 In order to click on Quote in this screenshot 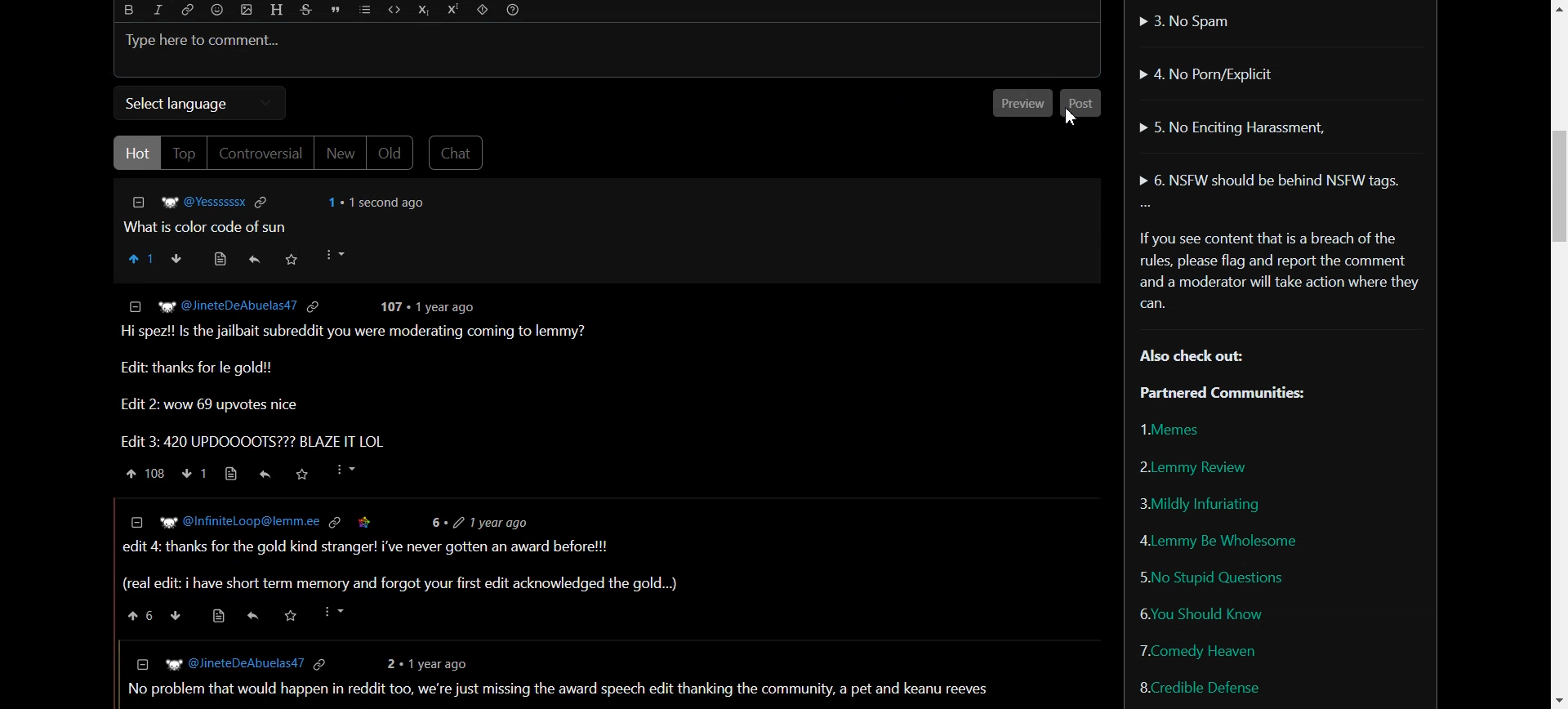, I will do `click(336, 10)`.